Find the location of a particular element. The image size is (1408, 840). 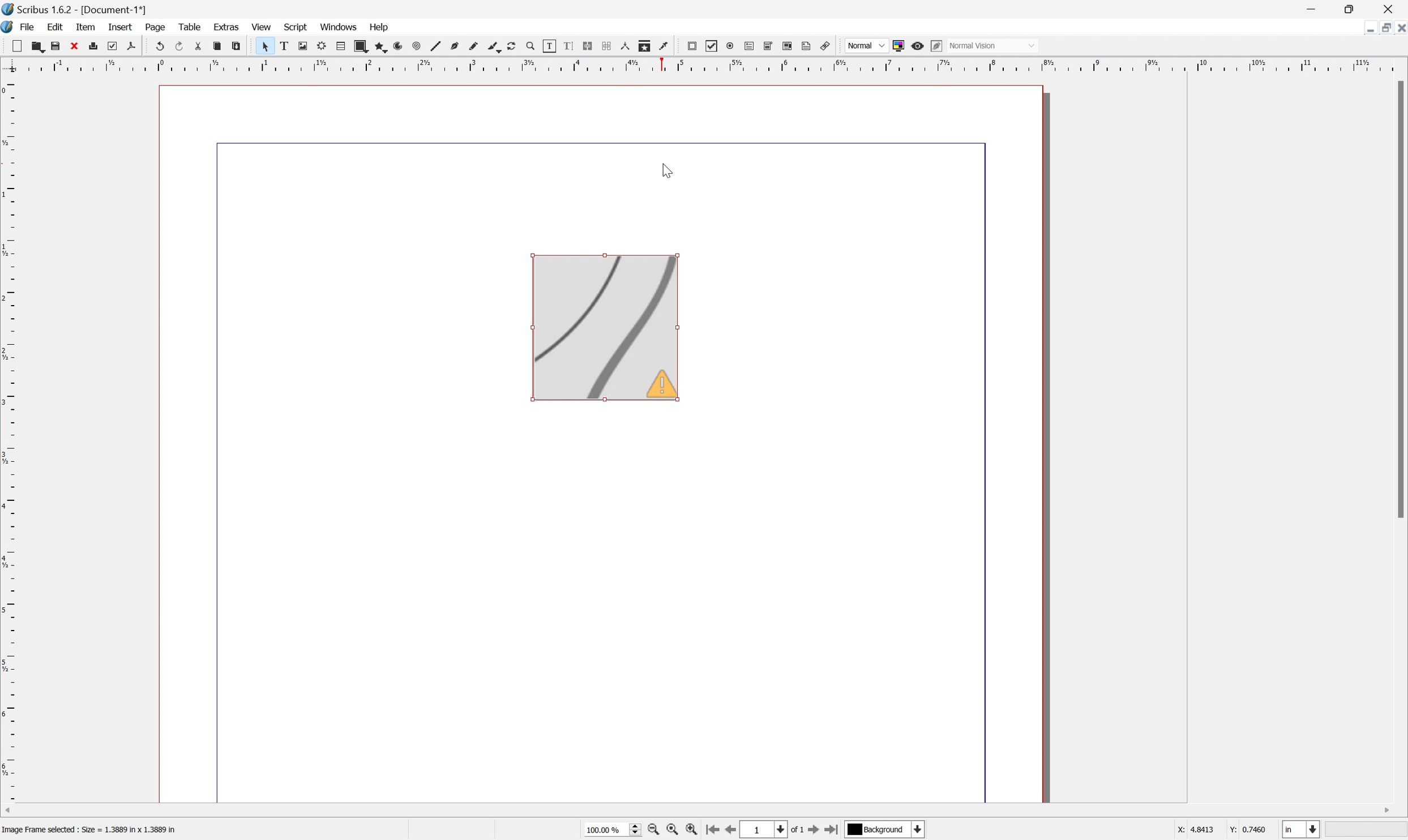

Polygon is located at coordinates (382, 48).